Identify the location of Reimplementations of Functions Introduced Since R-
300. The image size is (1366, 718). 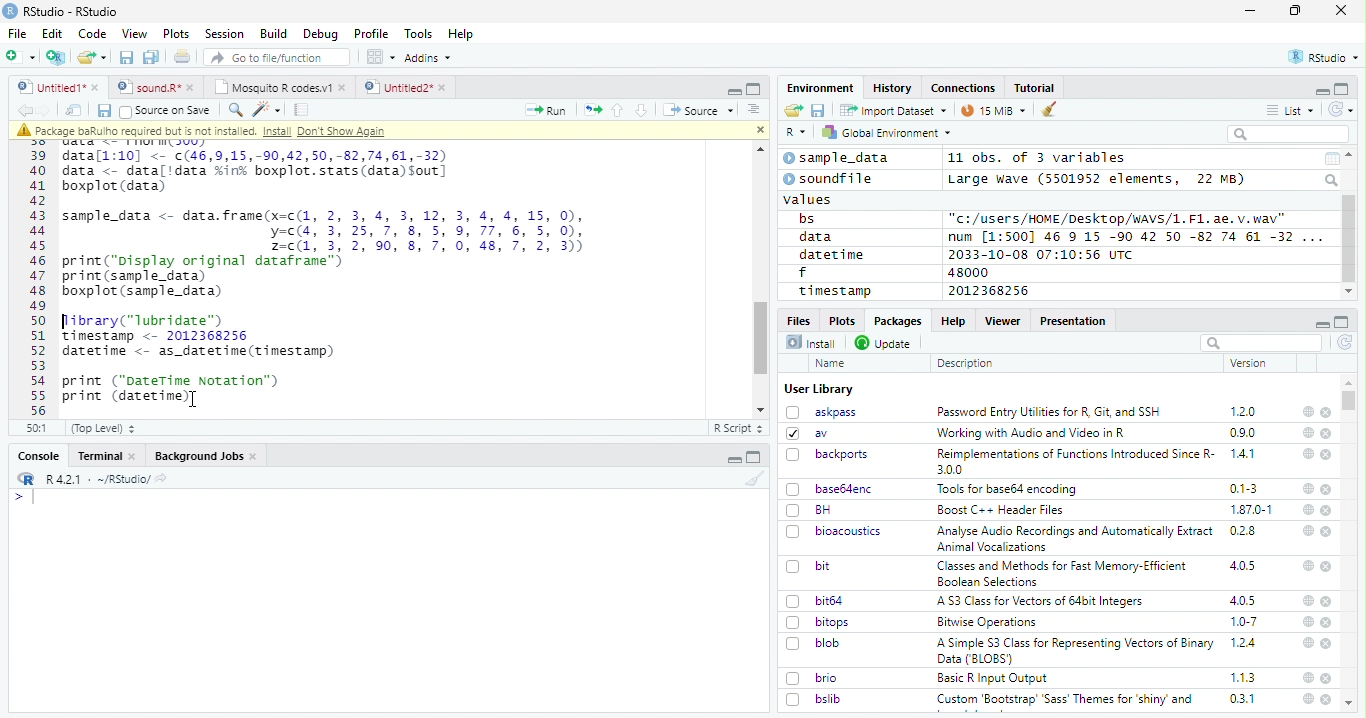
(1074, 461).